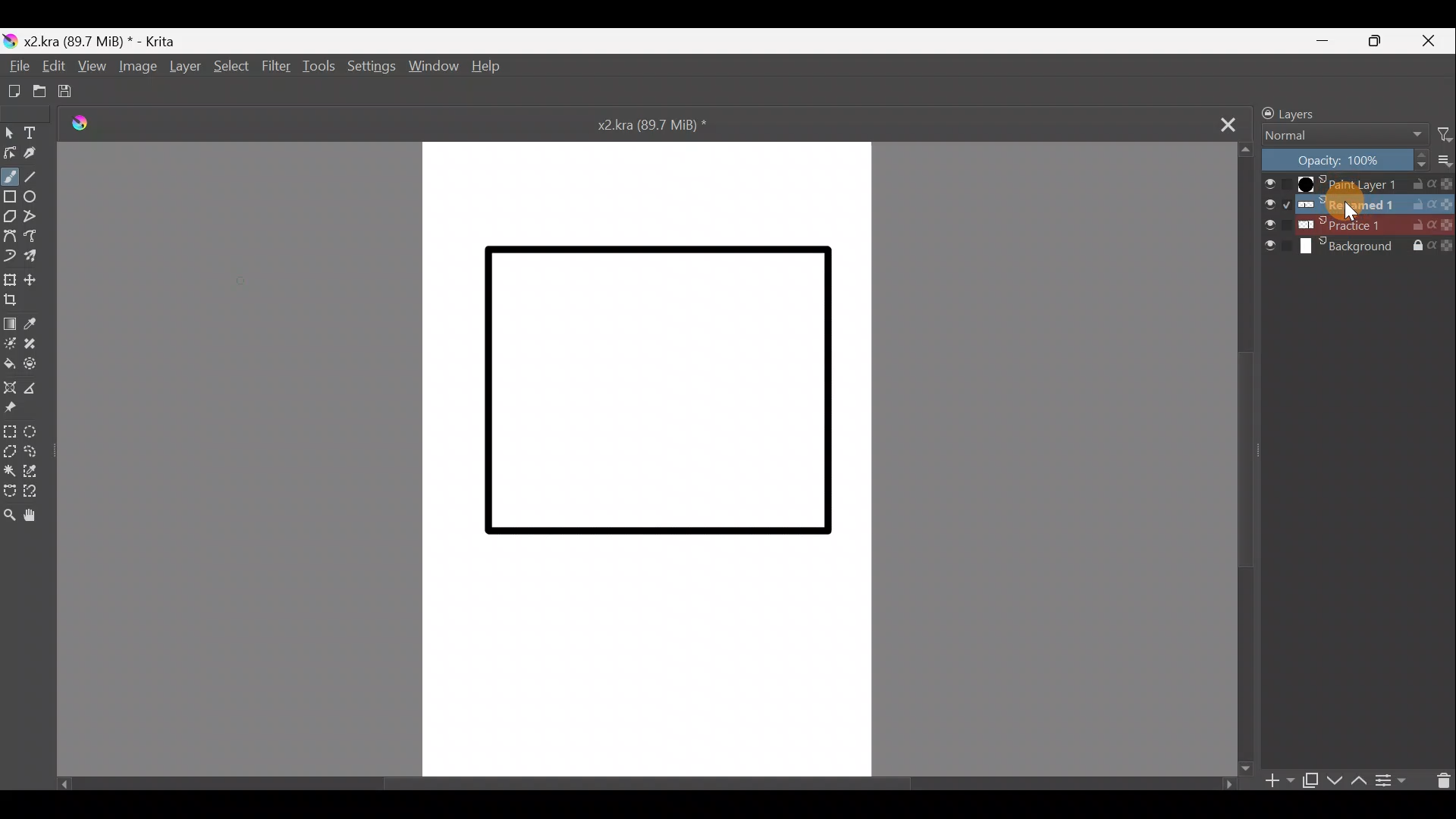 The height and width of the screenshot is (819, 1456). I want to click on Magnetic curve selection tool, so click(36, 491).